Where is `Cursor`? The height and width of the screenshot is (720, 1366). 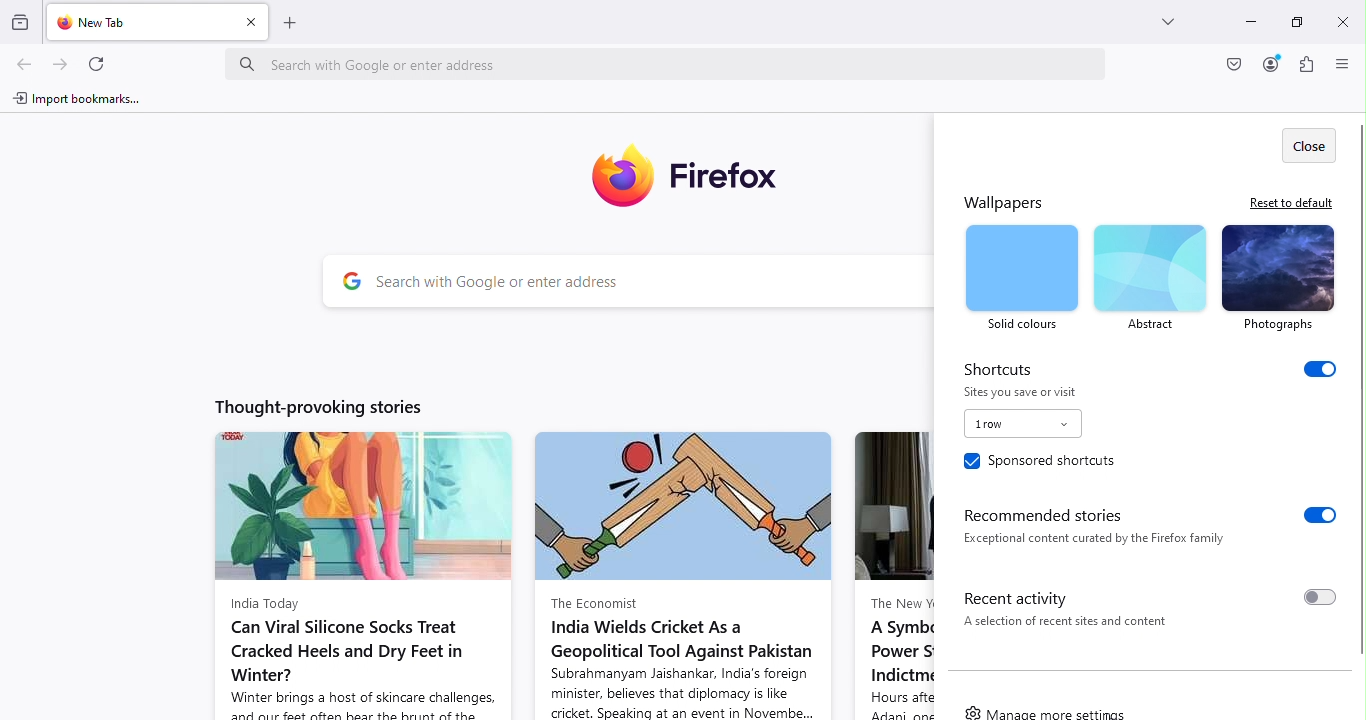
Cursor is located at coordinates (1111, 715).